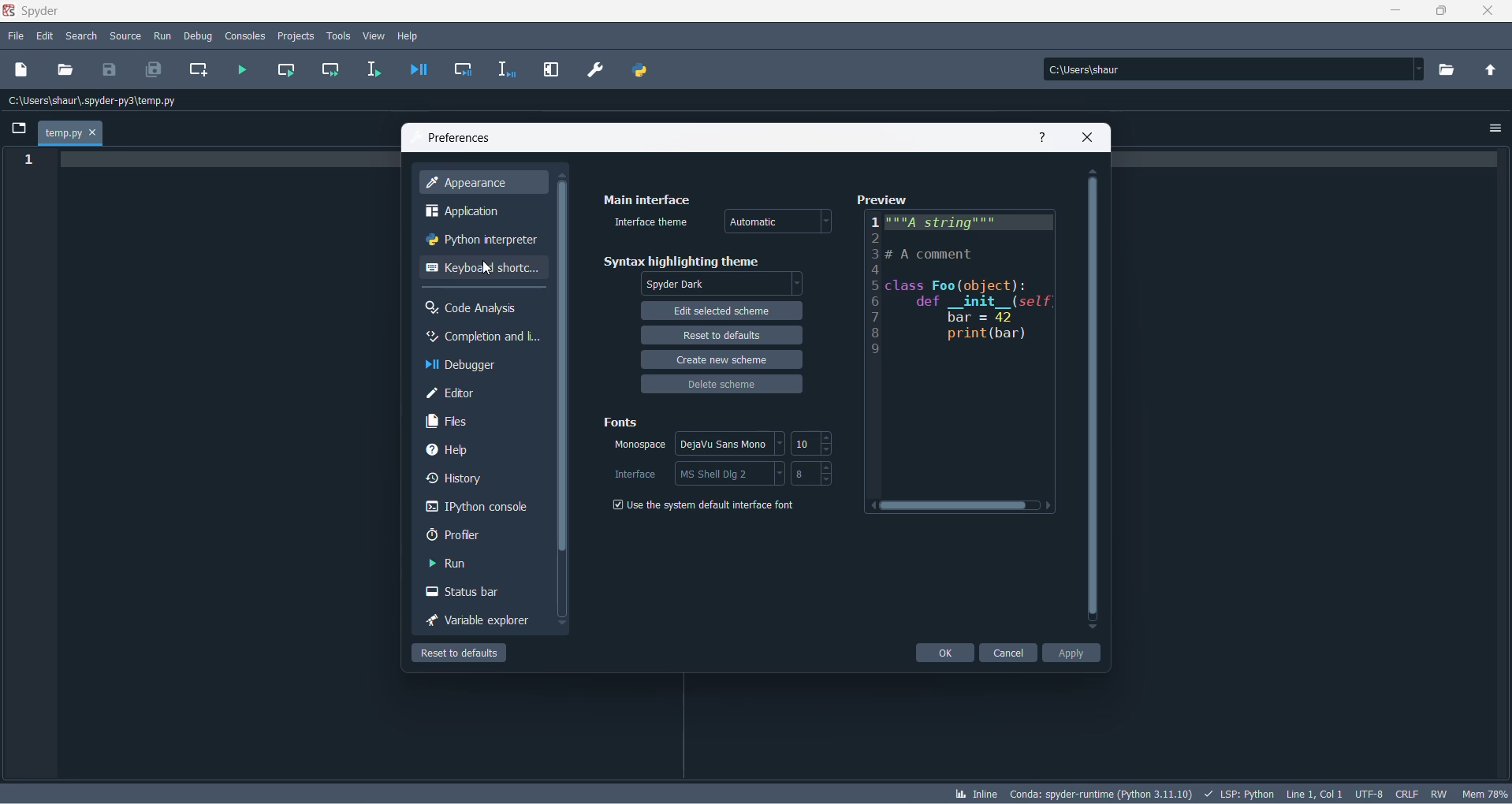 This screenshot has width=1512, height=804. Describe the element at coordinates (243, 70) in the screenshot. I see `run file` at that location.